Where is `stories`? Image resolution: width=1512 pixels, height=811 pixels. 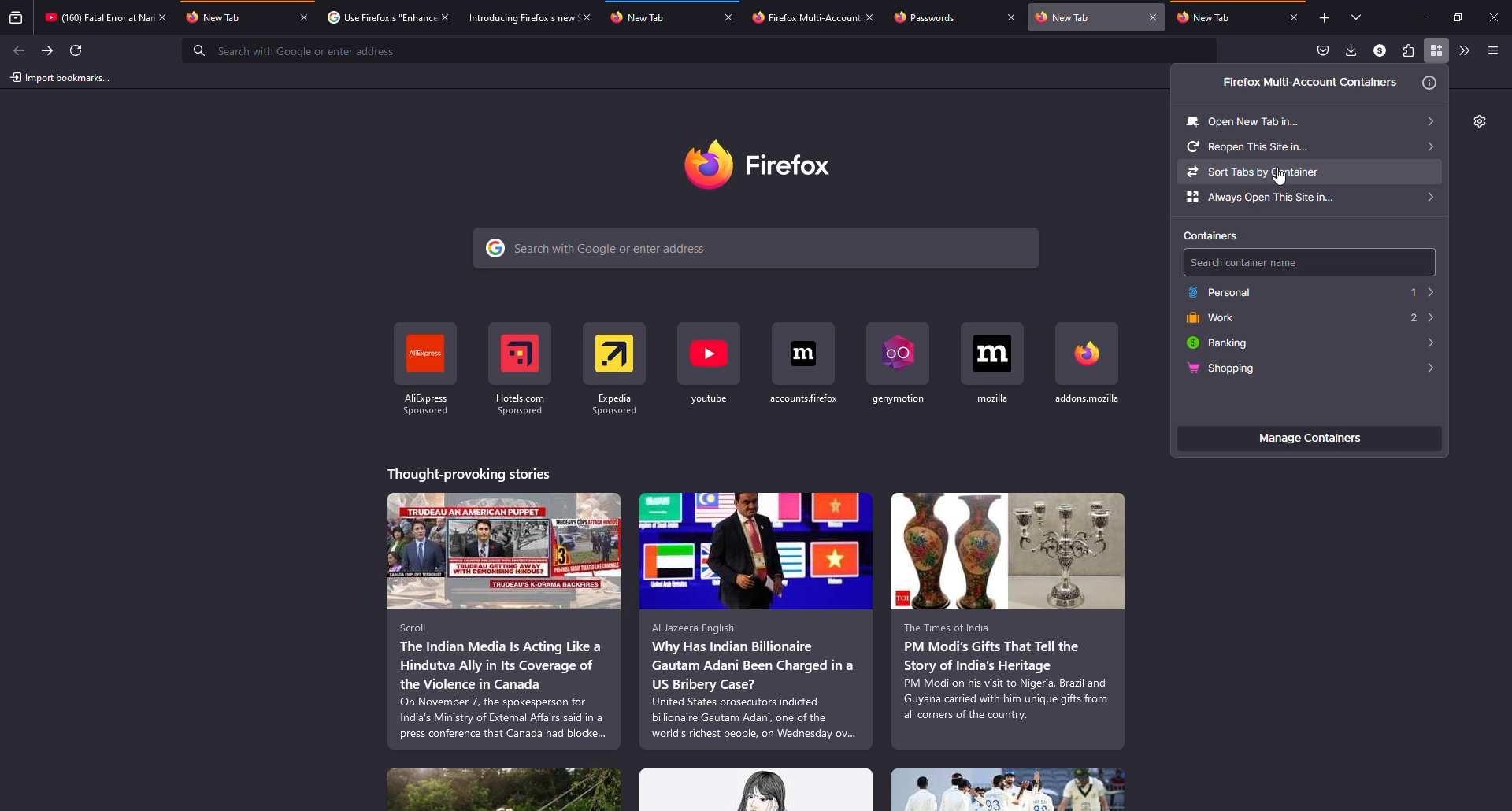 stories is located at coordinates (1010, 789).